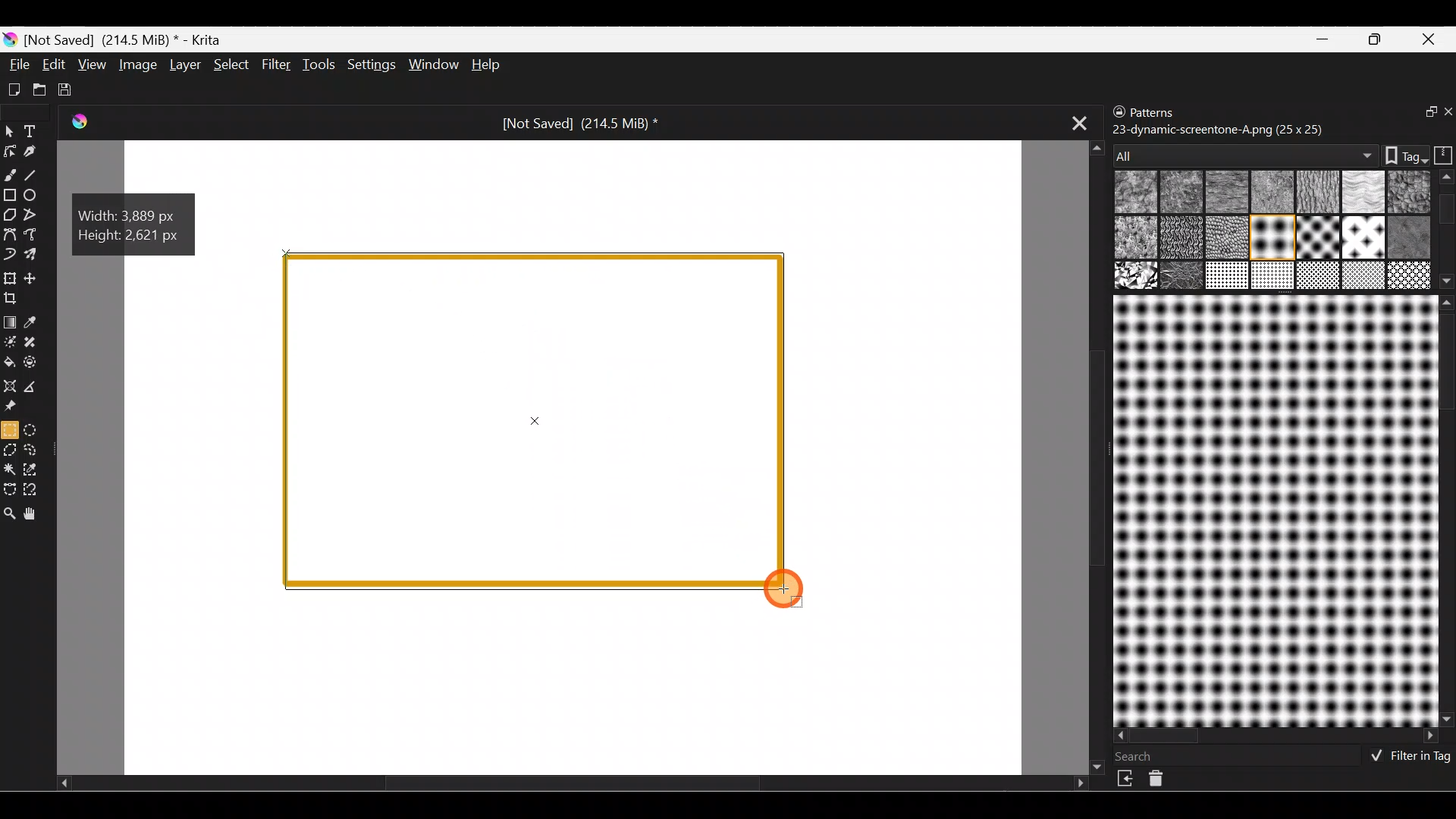 The height and width of the screenshot is (819, 1456). Describe the element at coordinates (37, 387) in the screenshot. I see `Measure the distance between two points` at that location.